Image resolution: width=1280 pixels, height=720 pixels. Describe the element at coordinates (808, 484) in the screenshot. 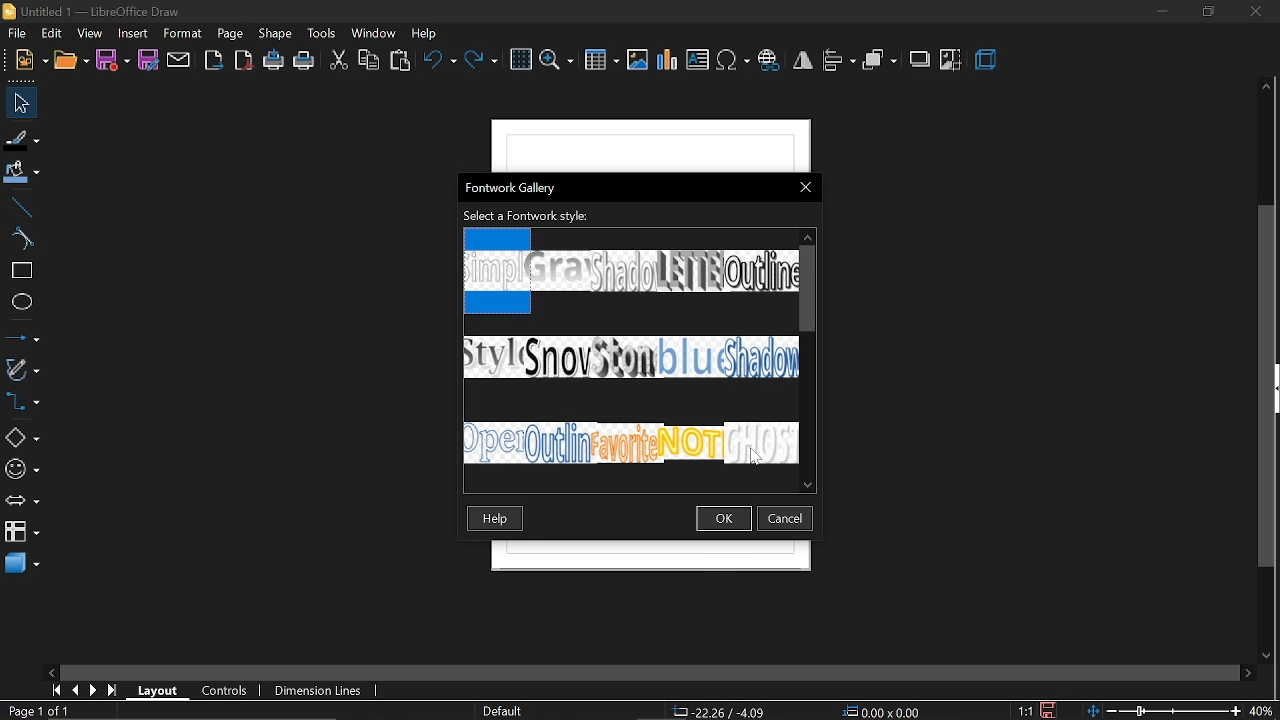

I see `move down` at that location.